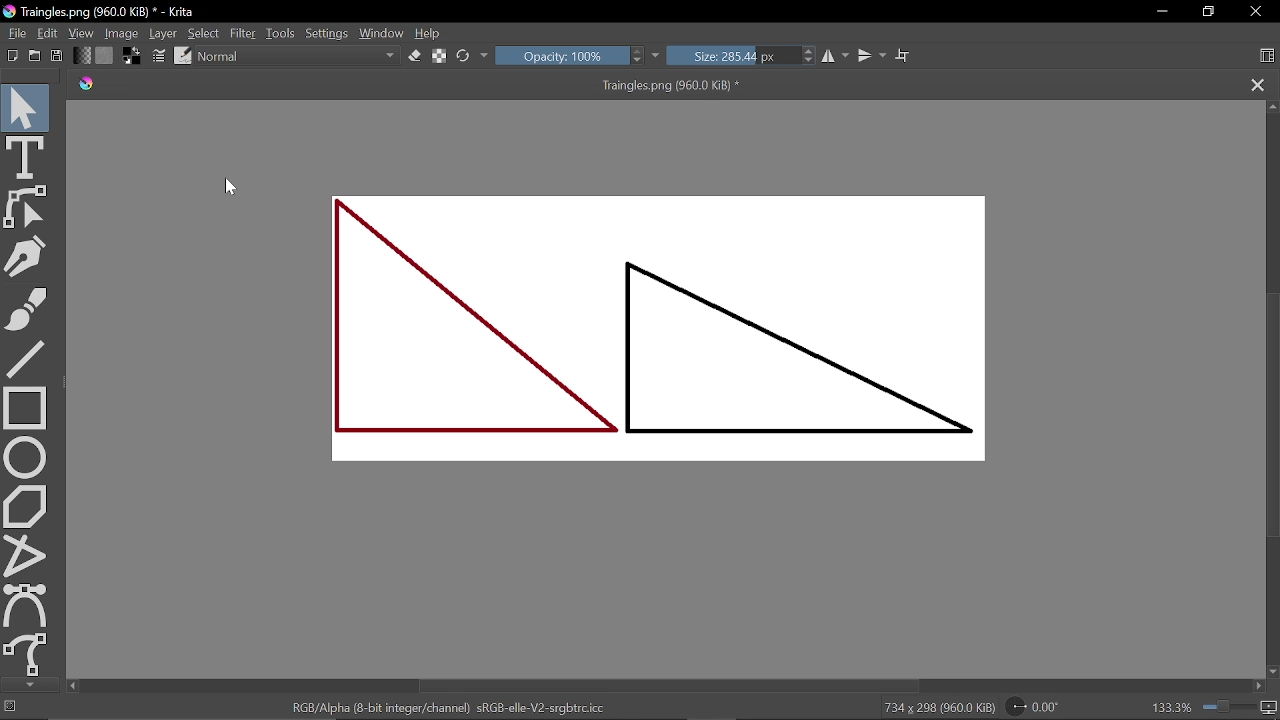 The width and height of the screenshot is (1280, 720). What do you see at coordinates (26, 605) in the screenshot?
I see `Bezier curve tool` at bounding box center [26, 605].